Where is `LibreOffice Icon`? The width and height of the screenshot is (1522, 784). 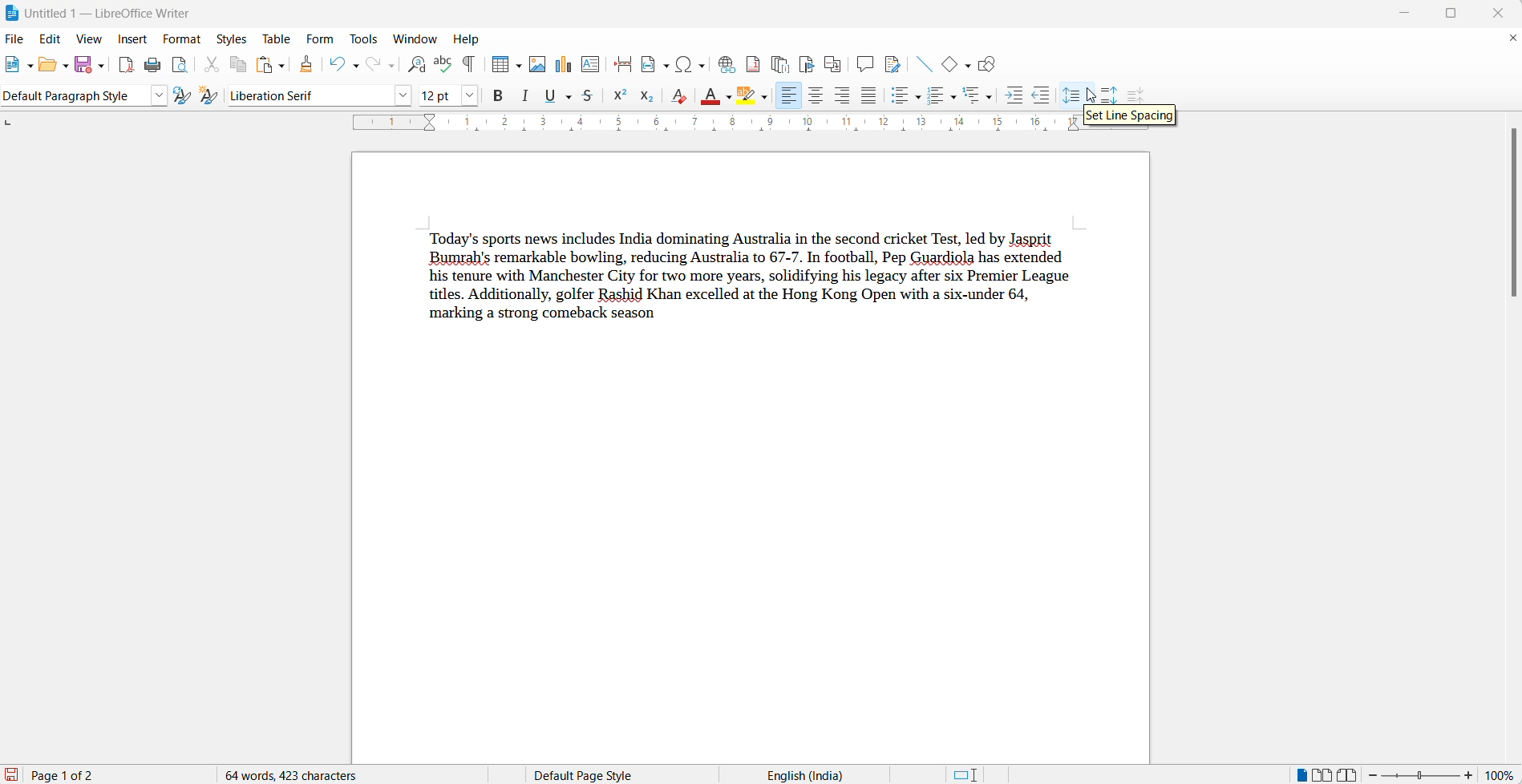 LibreOffice Icon is located at coordinates (10, 11).